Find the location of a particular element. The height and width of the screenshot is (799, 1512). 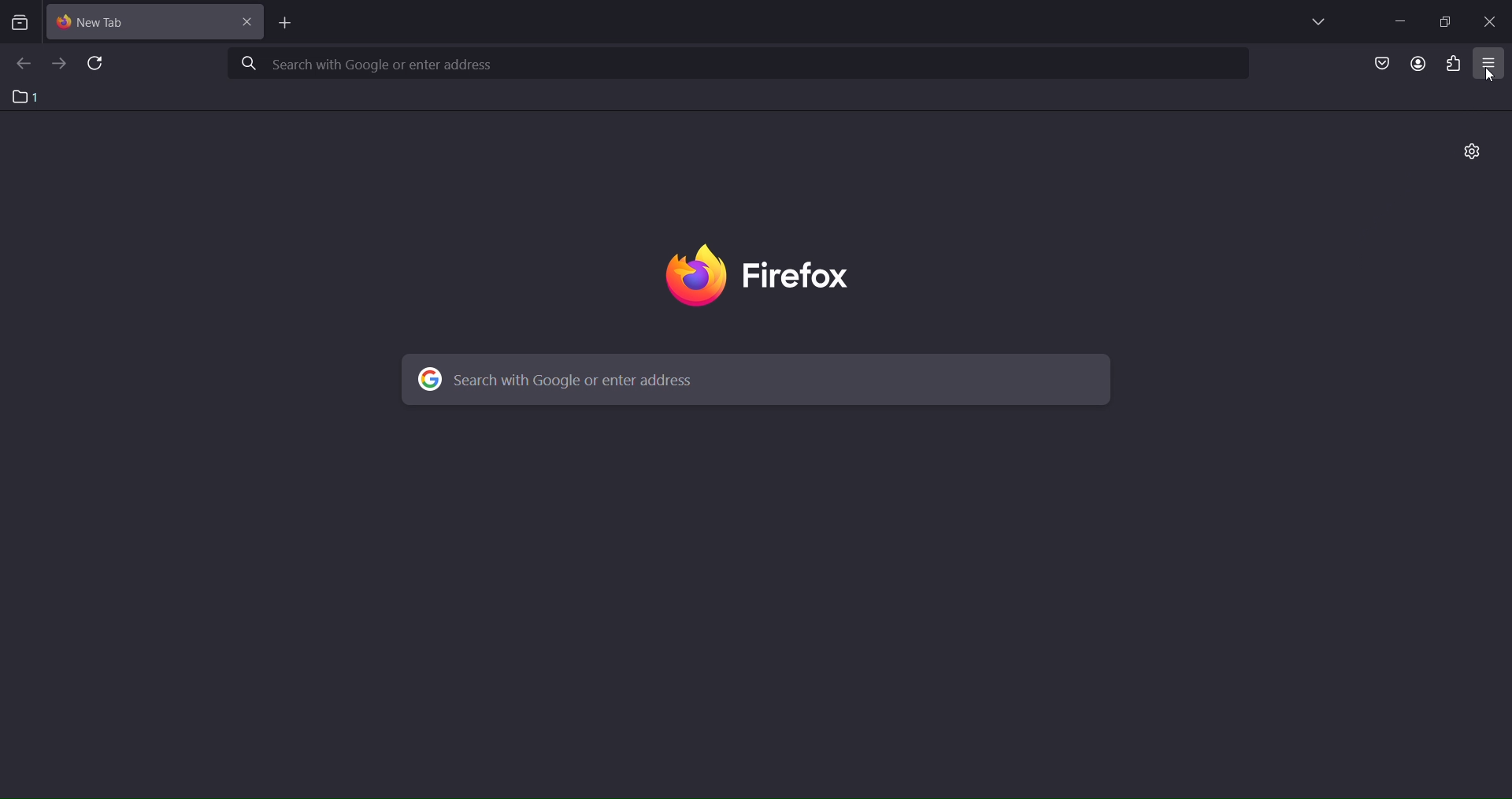

new tab is located at coordinates (283, 25).